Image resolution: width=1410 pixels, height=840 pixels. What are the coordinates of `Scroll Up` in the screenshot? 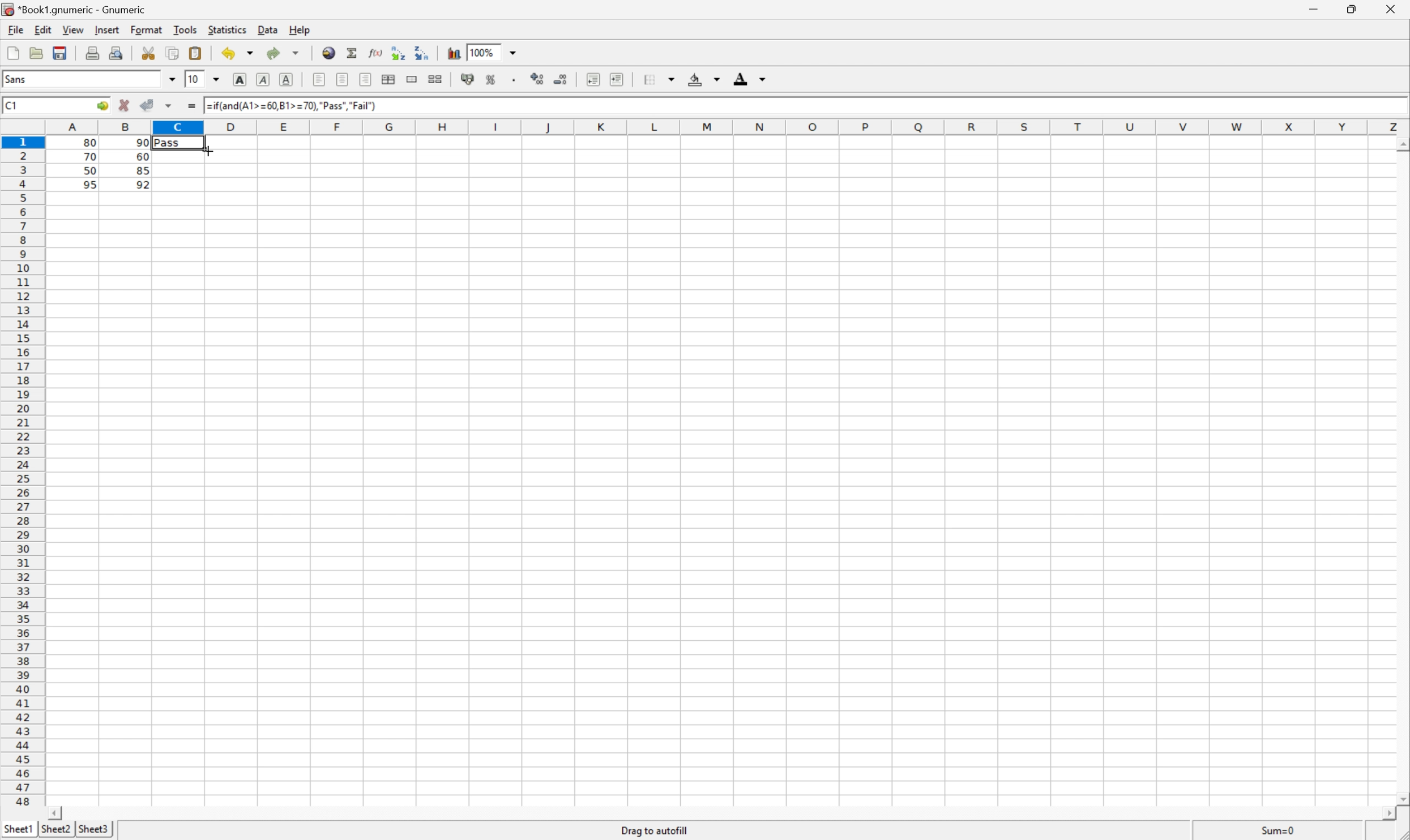 It's located at (1401, 144).